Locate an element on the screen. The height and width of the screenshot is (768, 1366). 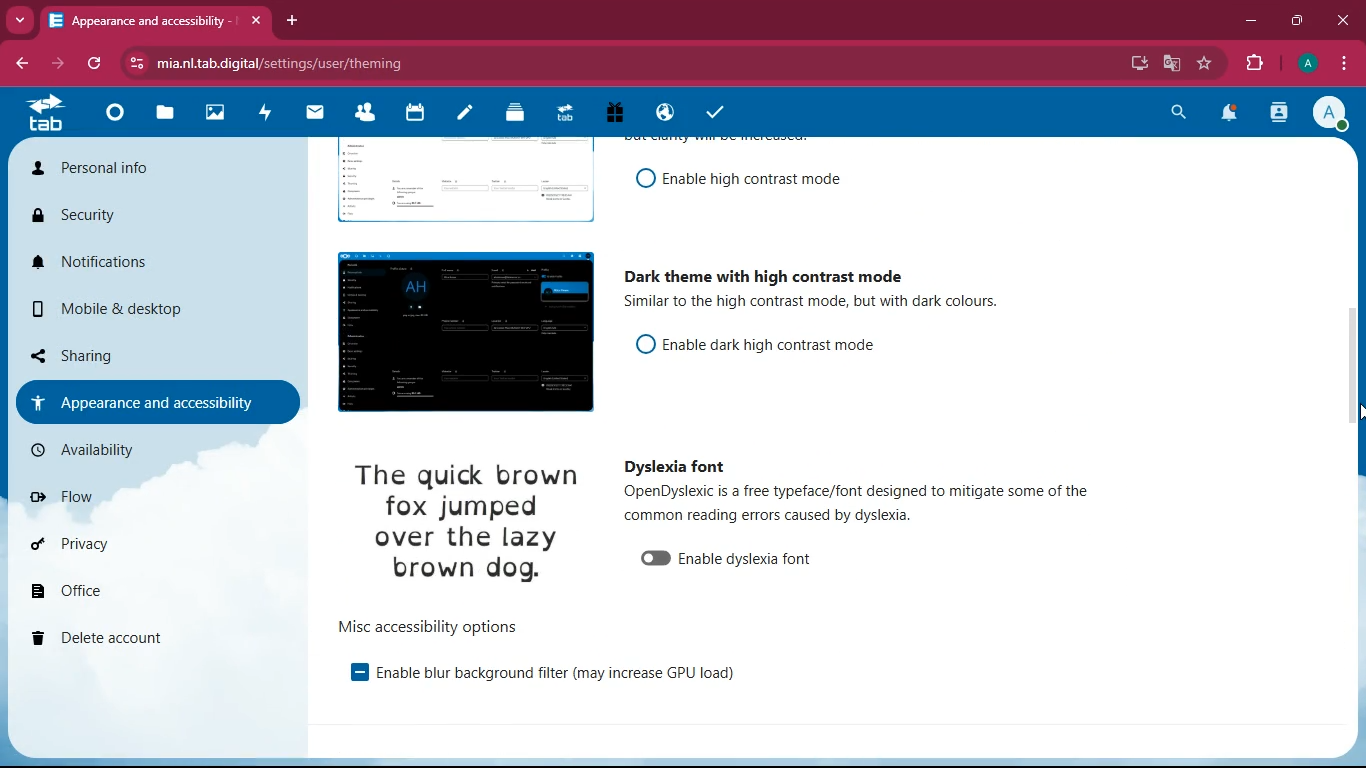
public is located at coordinates (668, 114).